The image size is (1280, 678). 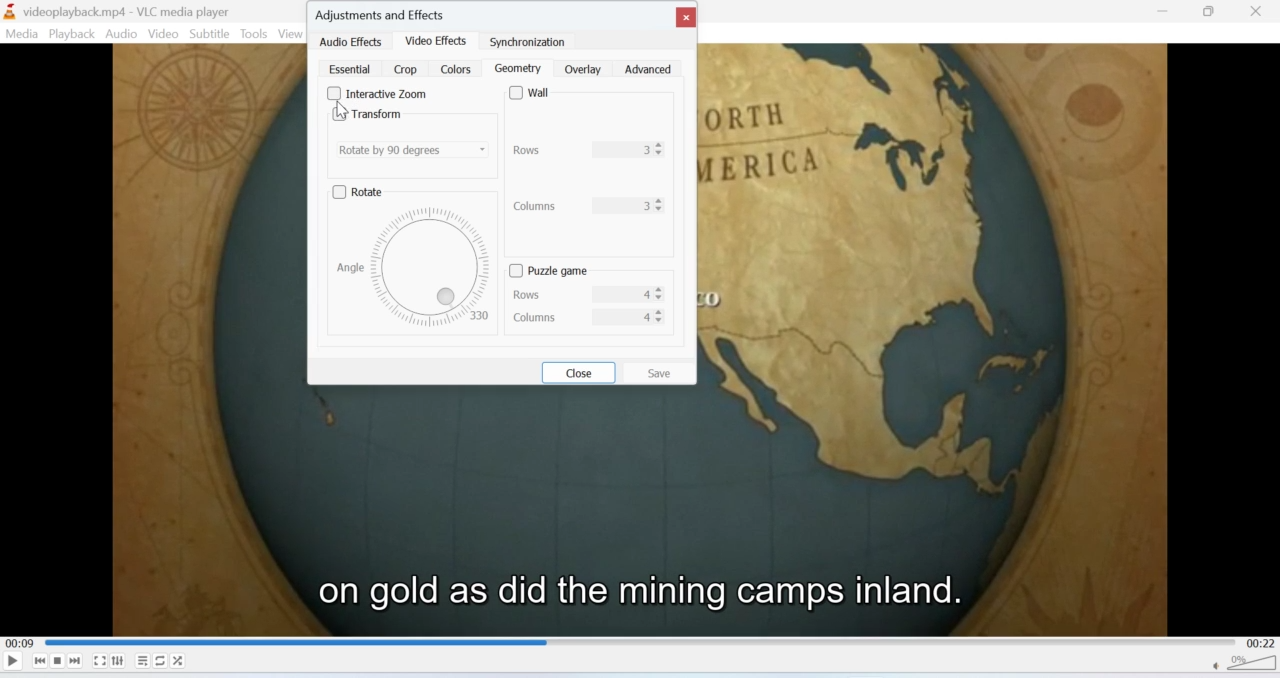 What do you see at coordinates (378, 93) in the screenshot?
I see `interactive zoom` at bounding box center [378, 93].